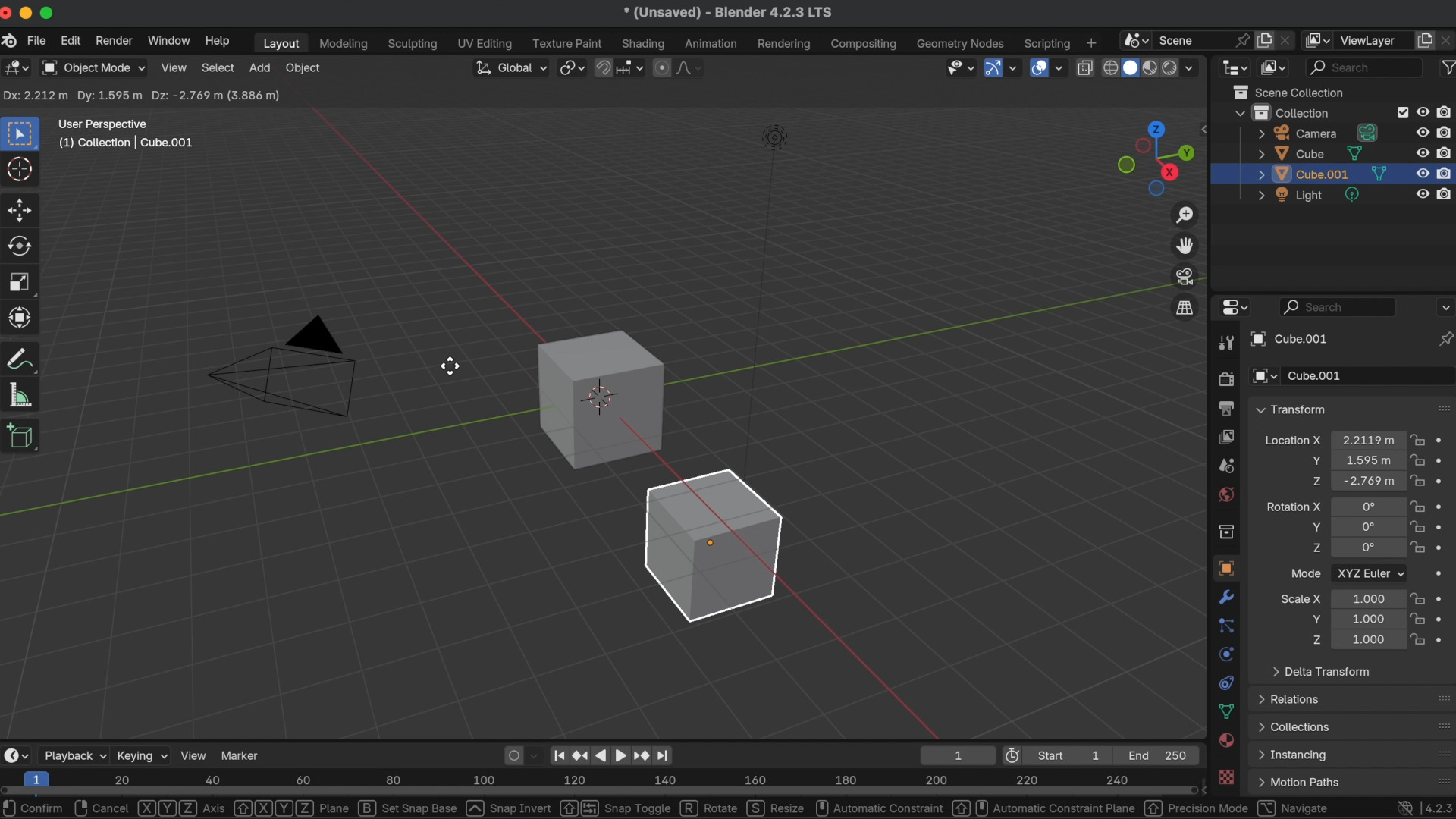 This screenshot has width=1456, height=819. I want to click on marker, so click(243, 754).